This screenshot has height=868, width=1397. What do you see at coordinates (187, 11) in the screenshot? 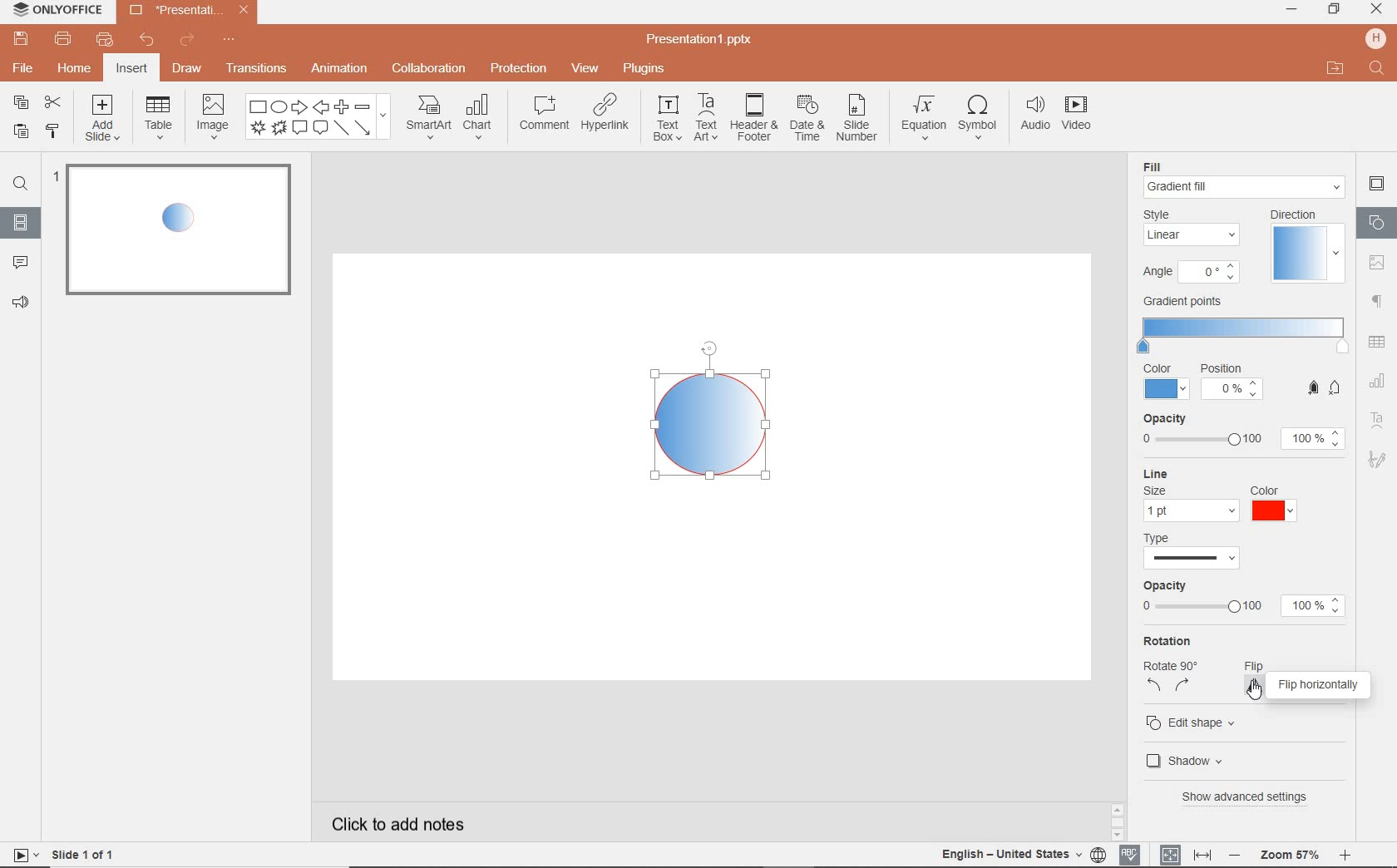
I see `file name` at bounding box center [187, 11].